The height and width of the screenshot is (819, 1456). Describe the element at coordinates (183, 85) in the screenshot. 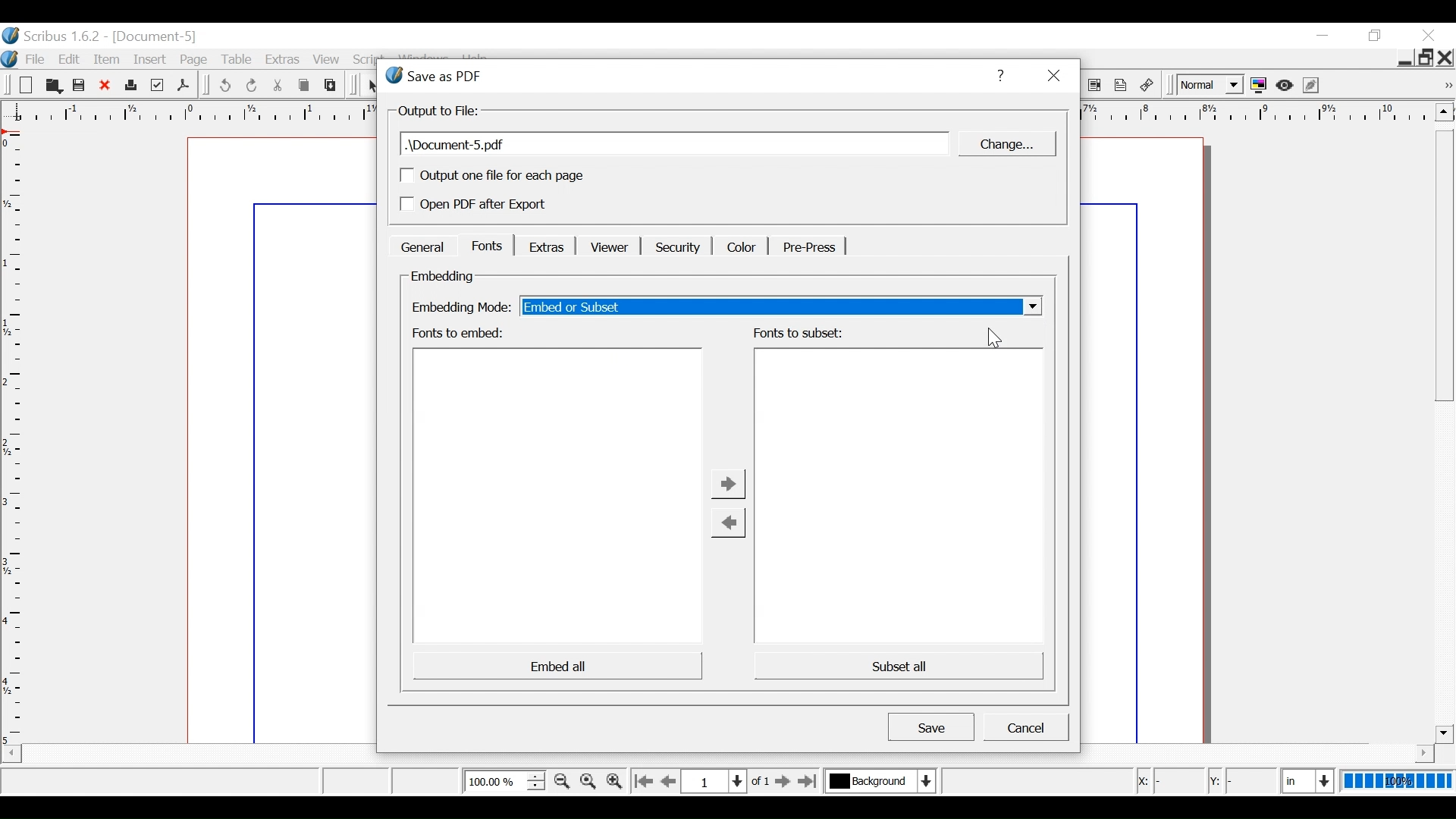

I see `Save as PDF` at that location.